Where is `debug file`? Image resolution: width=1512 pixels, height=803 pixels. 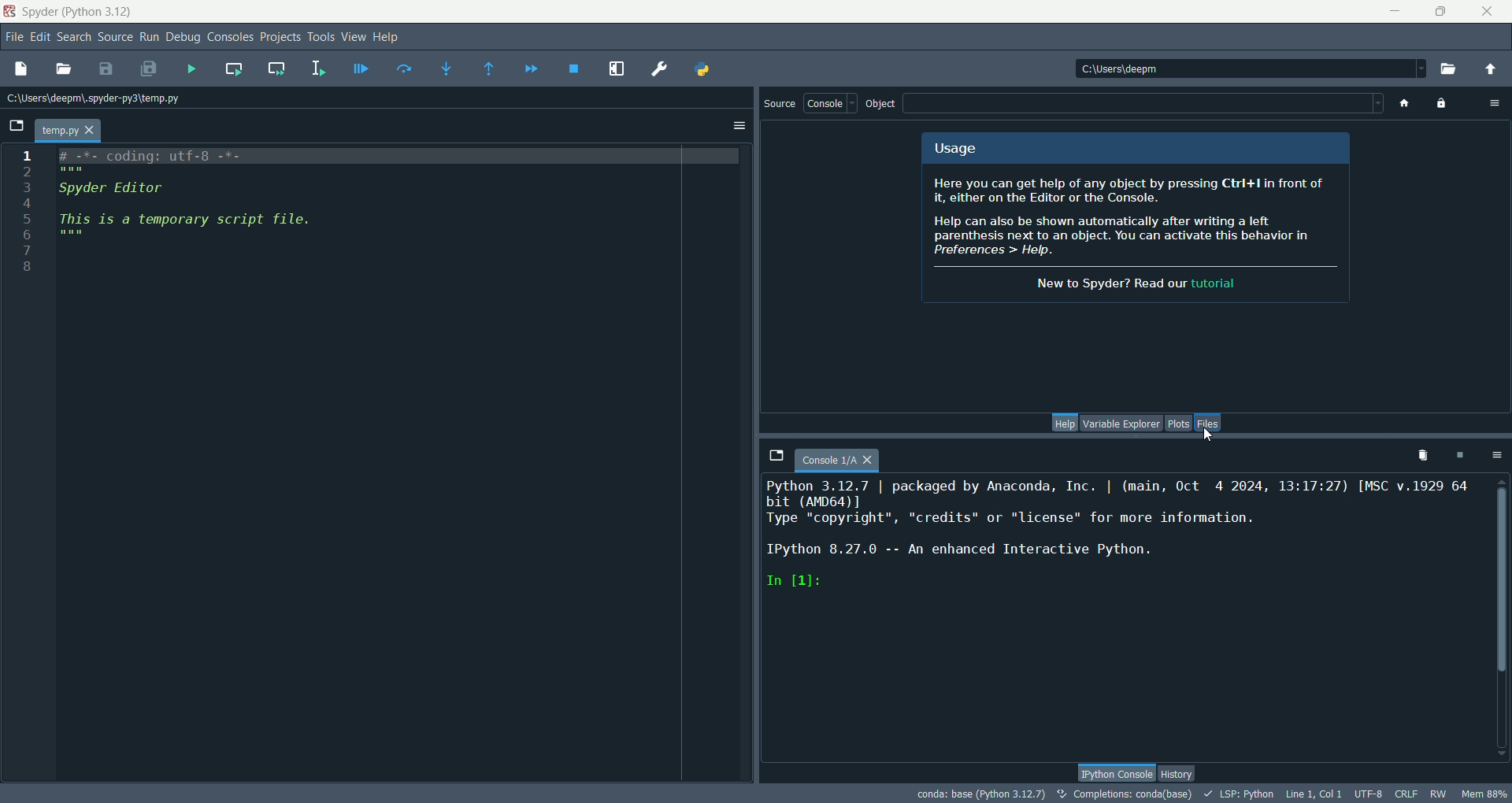
debug file is located at coordinates (361, 68).